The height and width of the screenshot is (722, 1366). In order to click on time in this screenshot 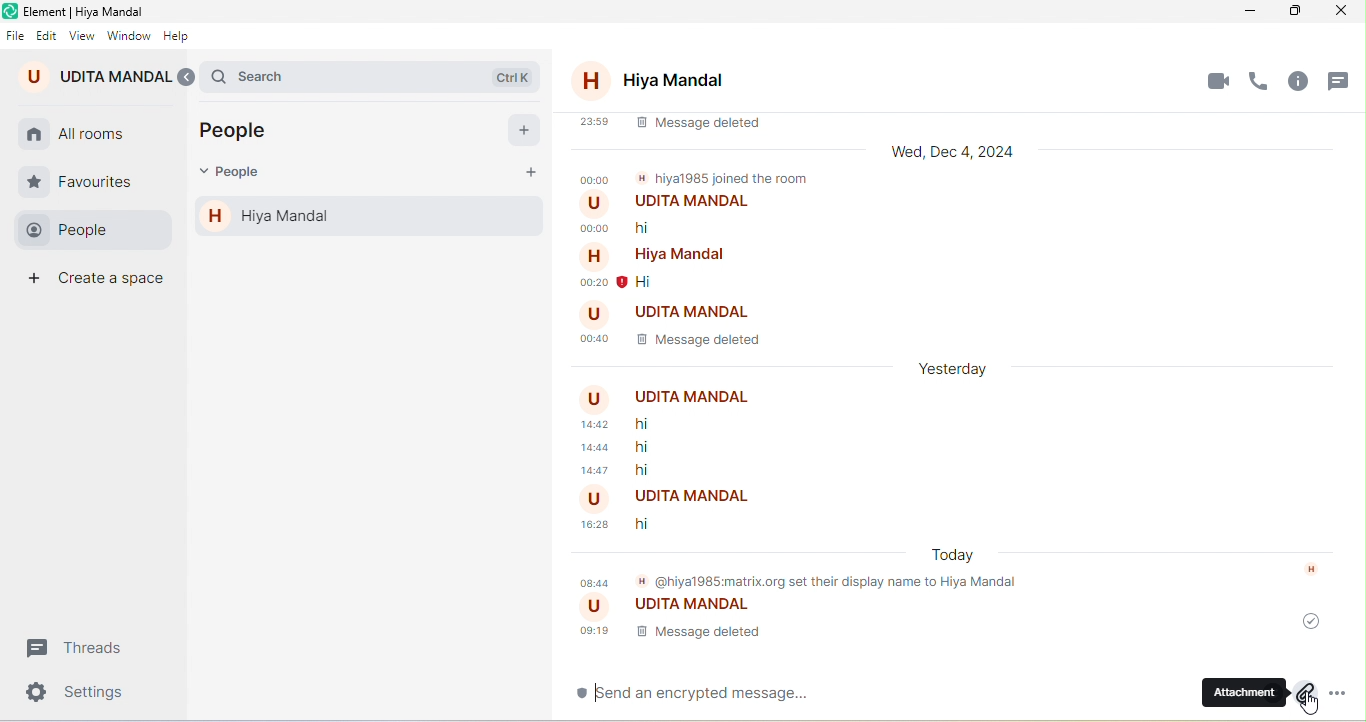, I will do `click(599, 450)`.